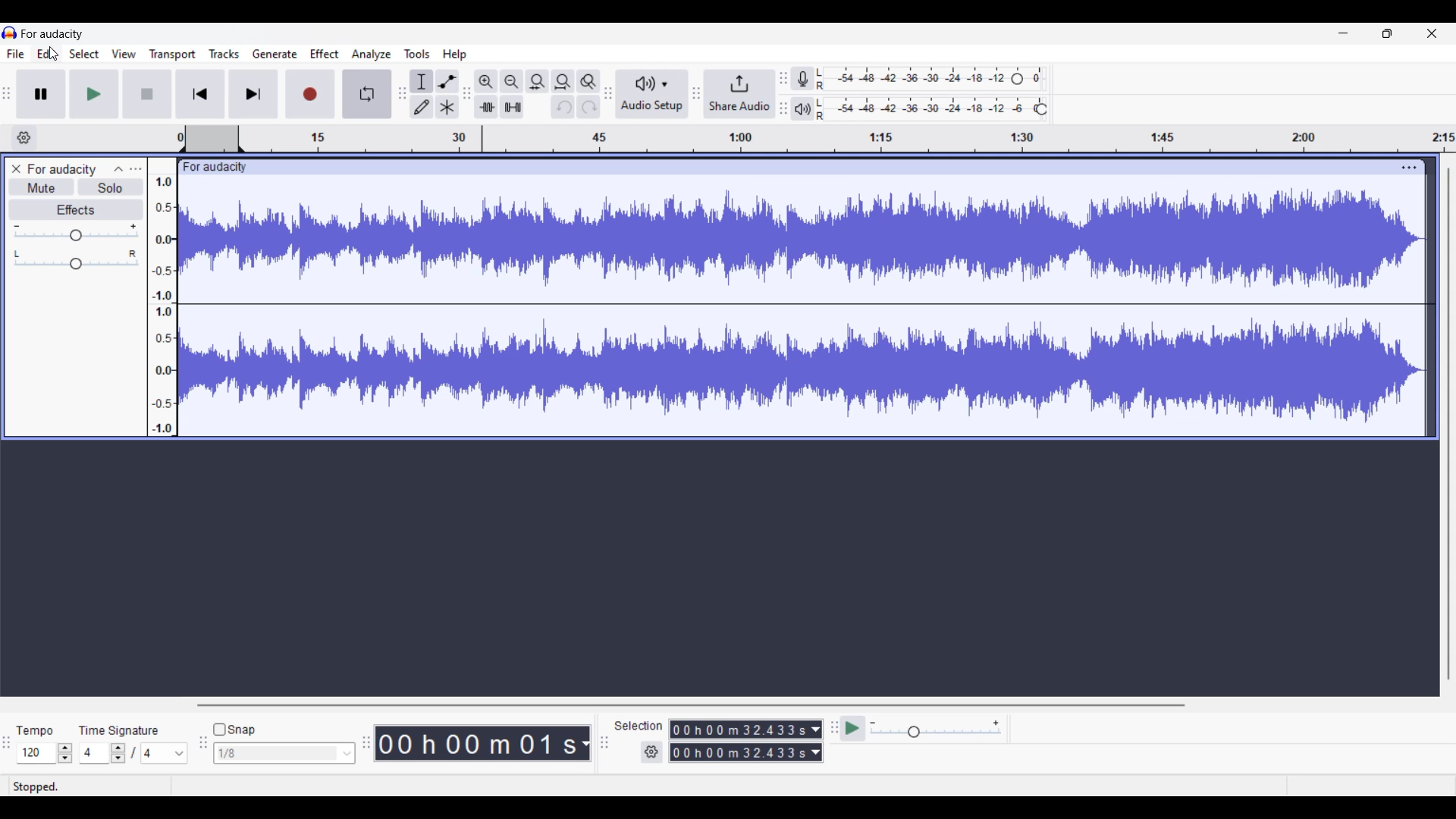  I want to click on File menu, so click(16, 54).